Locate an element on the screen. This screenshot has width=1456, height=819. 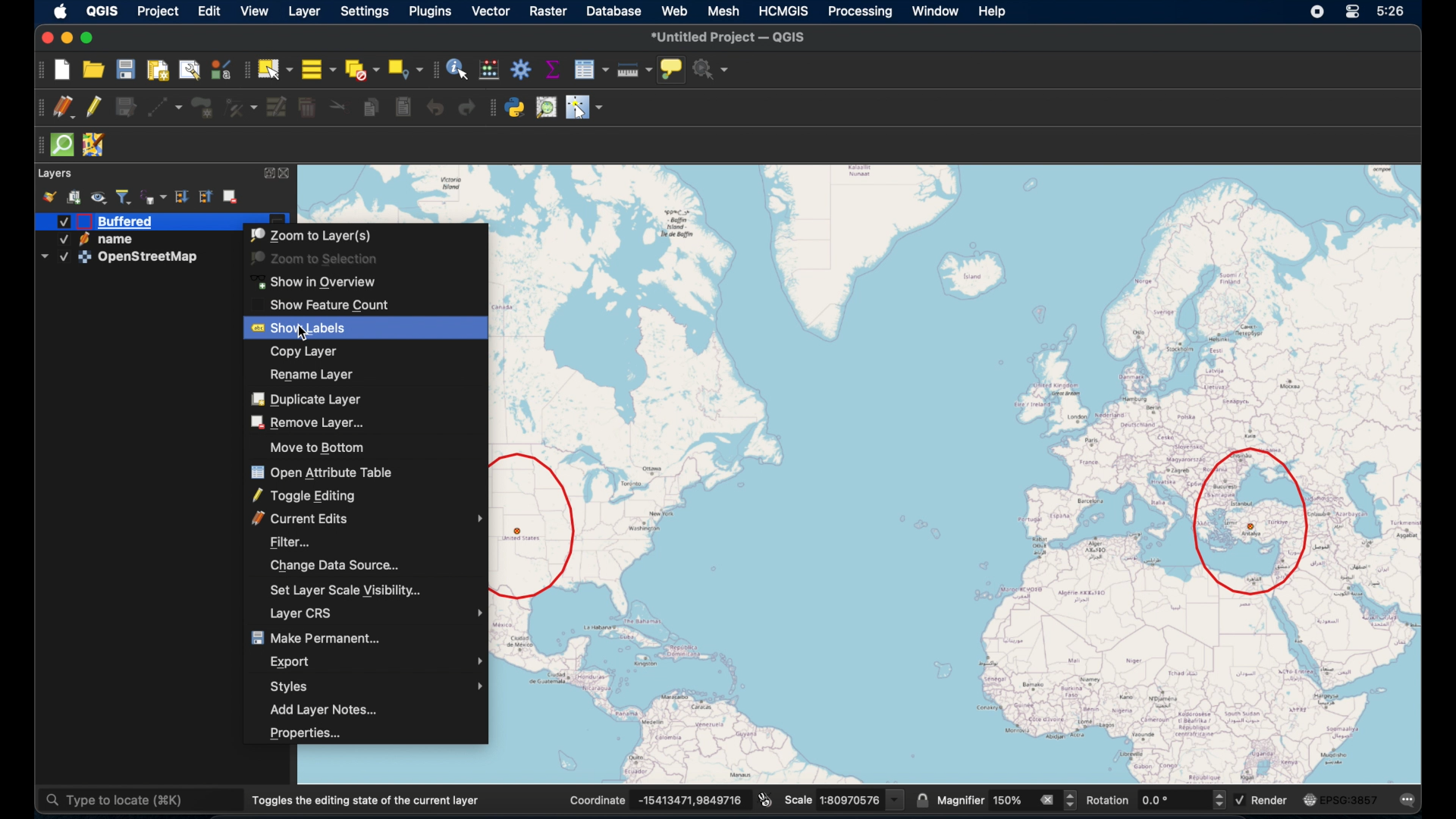
move to bottom is located at coordinates (315, 447).